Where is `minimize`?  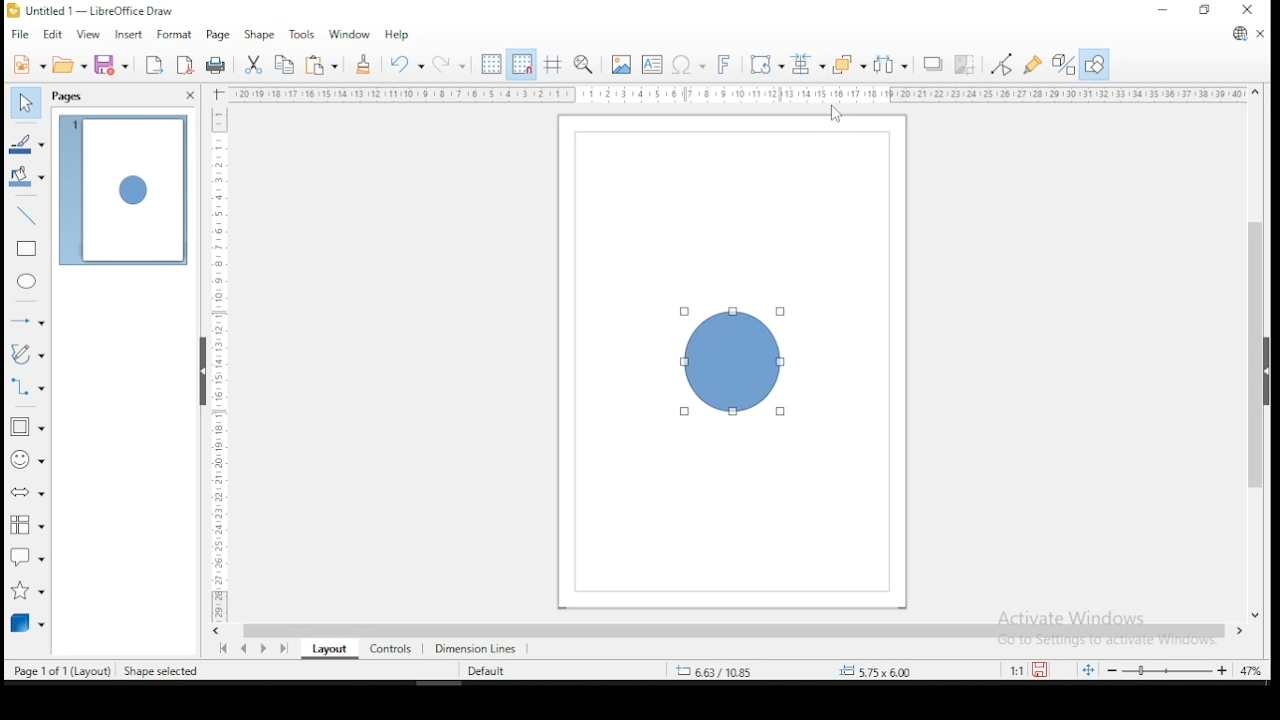 minimize is located at coordinates (1165, 9).